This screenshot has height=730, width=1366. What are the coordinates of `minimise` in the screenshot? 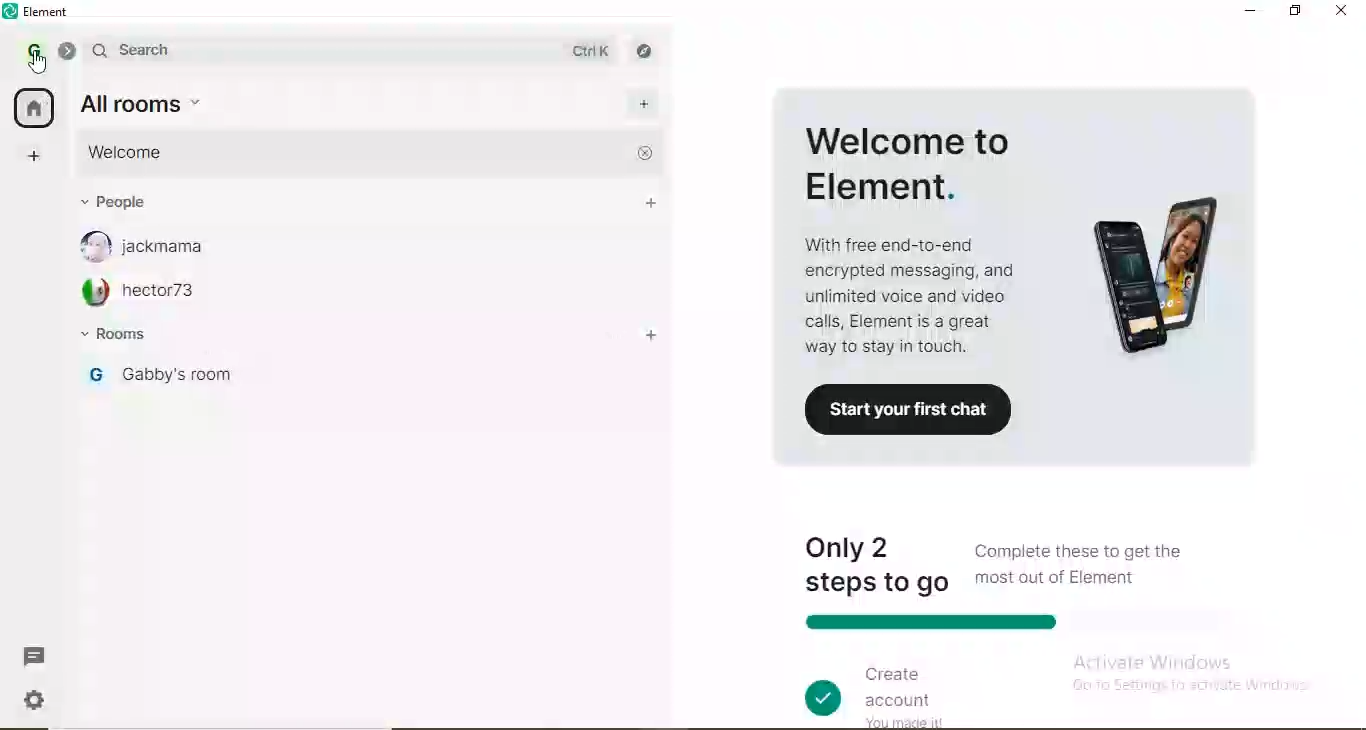 It's located at (1252, 13).